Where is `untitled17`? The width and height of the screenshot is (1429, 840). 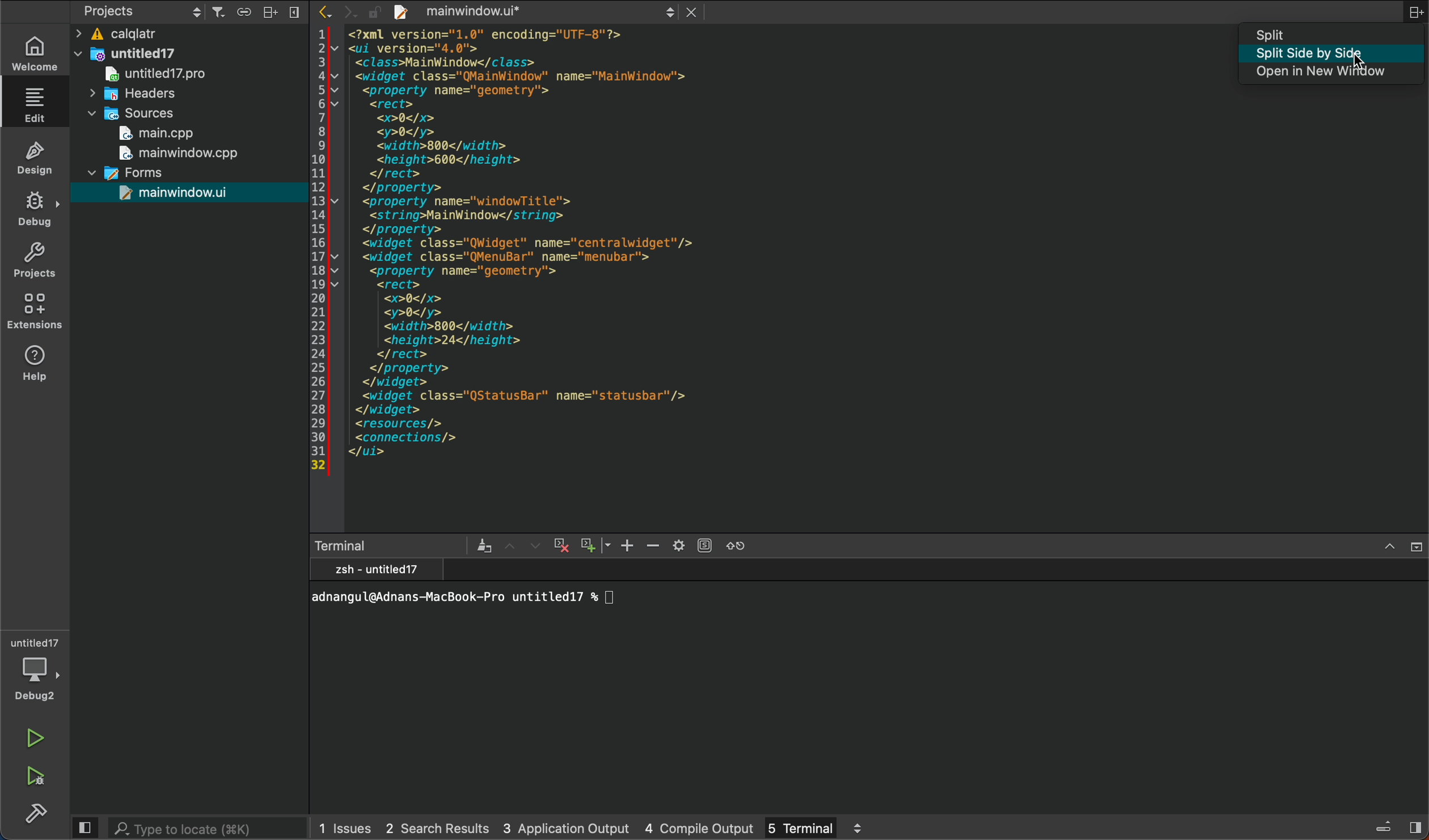 untitled17 is located at coordinates (147, 74).